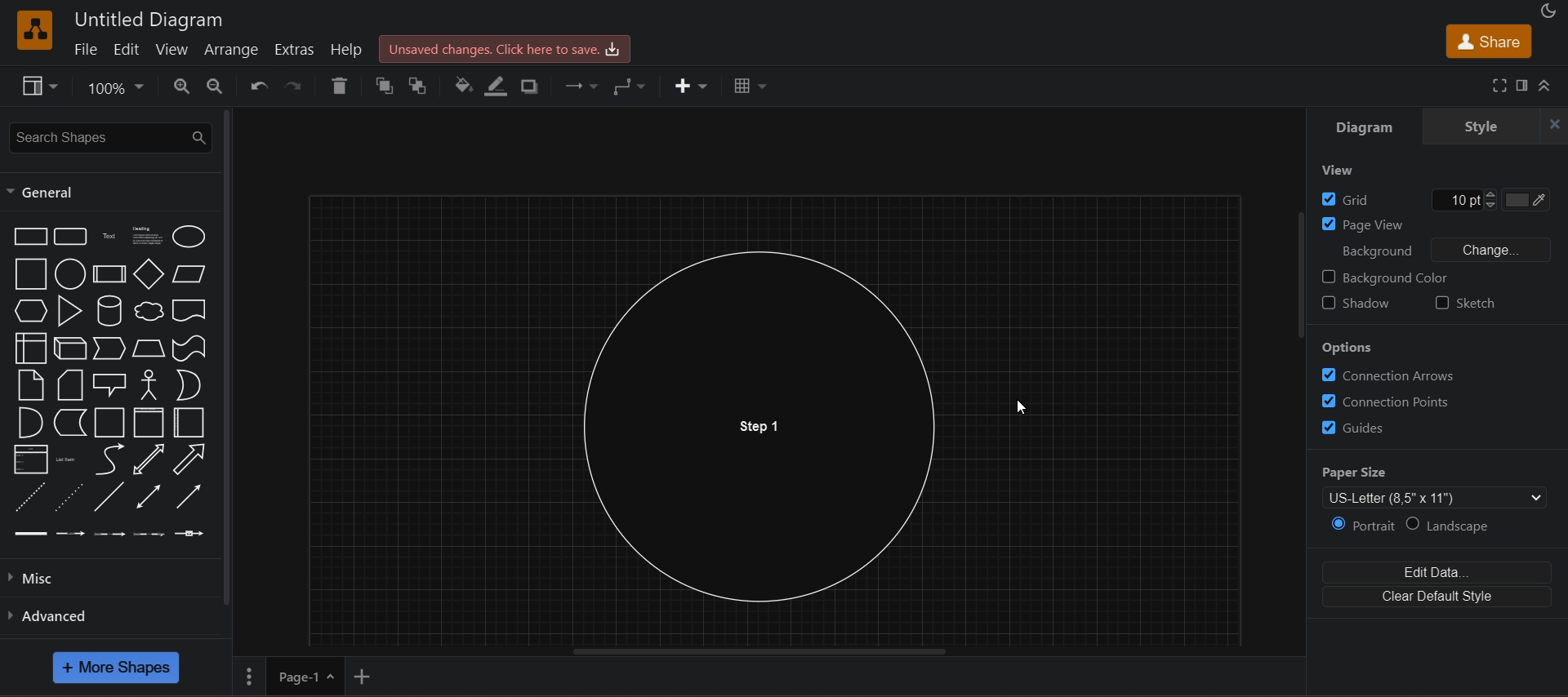 The image size is (1568, 697). What do you see at coordinates (746, 86) in the screenshot?
I see `table` at bounding box center [746, 86].